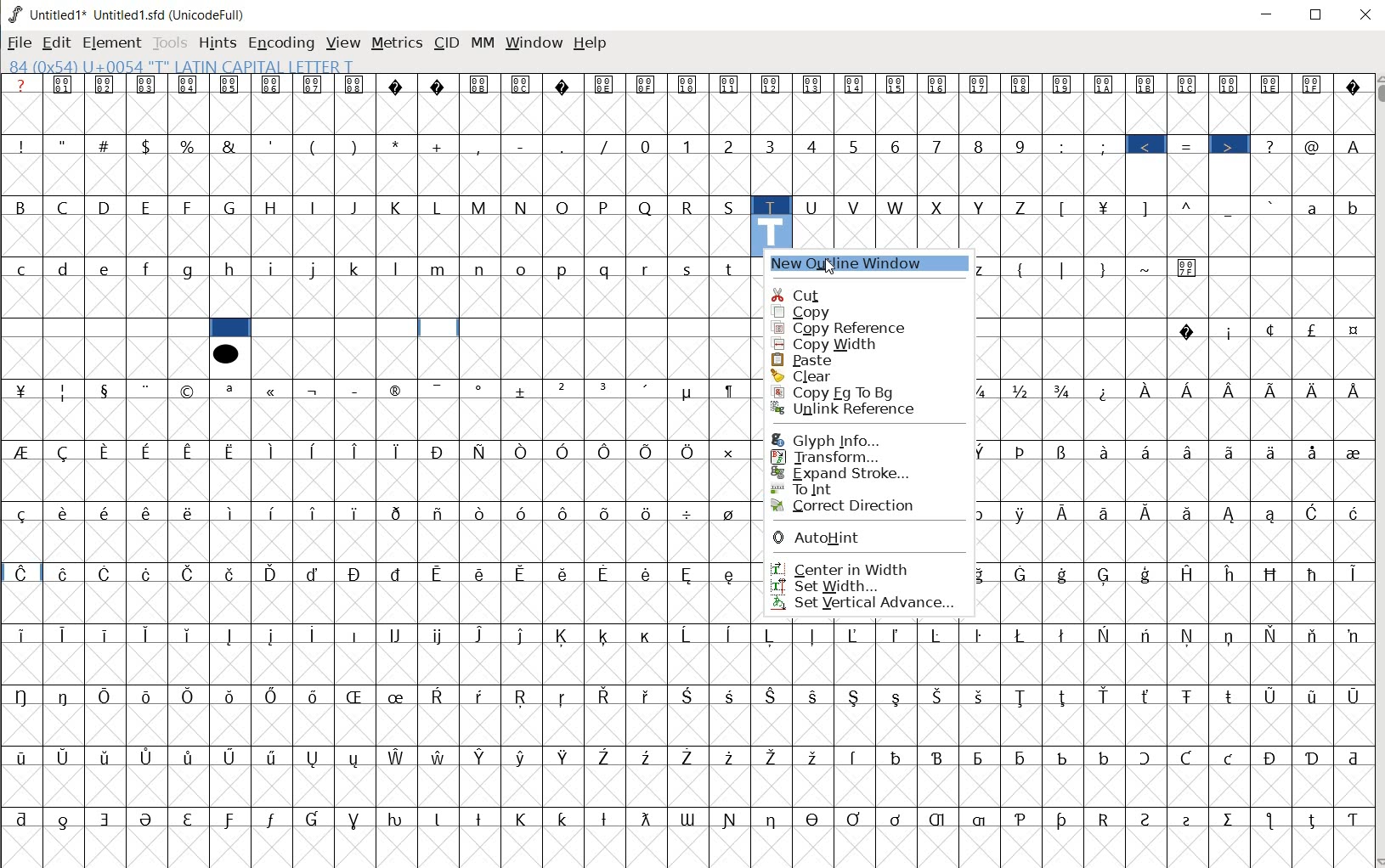 The height and width of the screenshot is (868, 1385). What do you see at coordinates (230, 328) in the screenshot?
I see `filled cell` at bounding box center [230, 328].